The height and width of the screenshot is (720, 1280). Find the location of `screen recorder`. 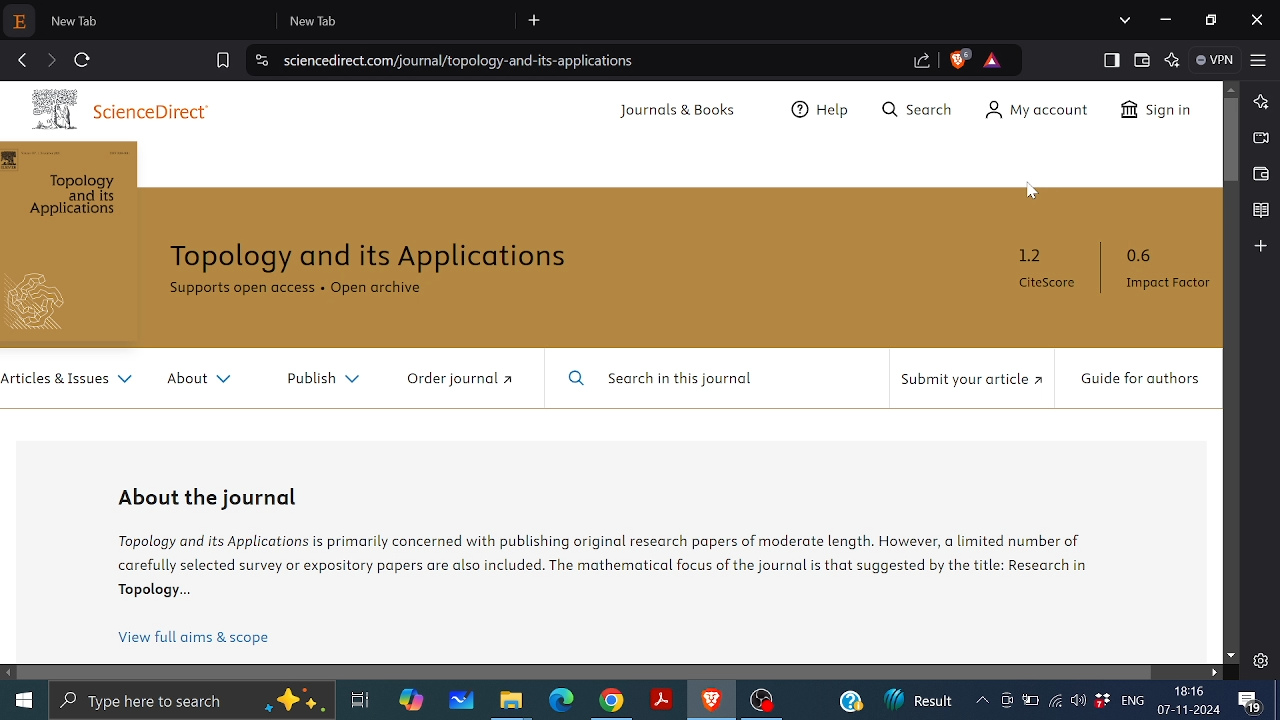

screen recorder is located at coordinates (984, 700).